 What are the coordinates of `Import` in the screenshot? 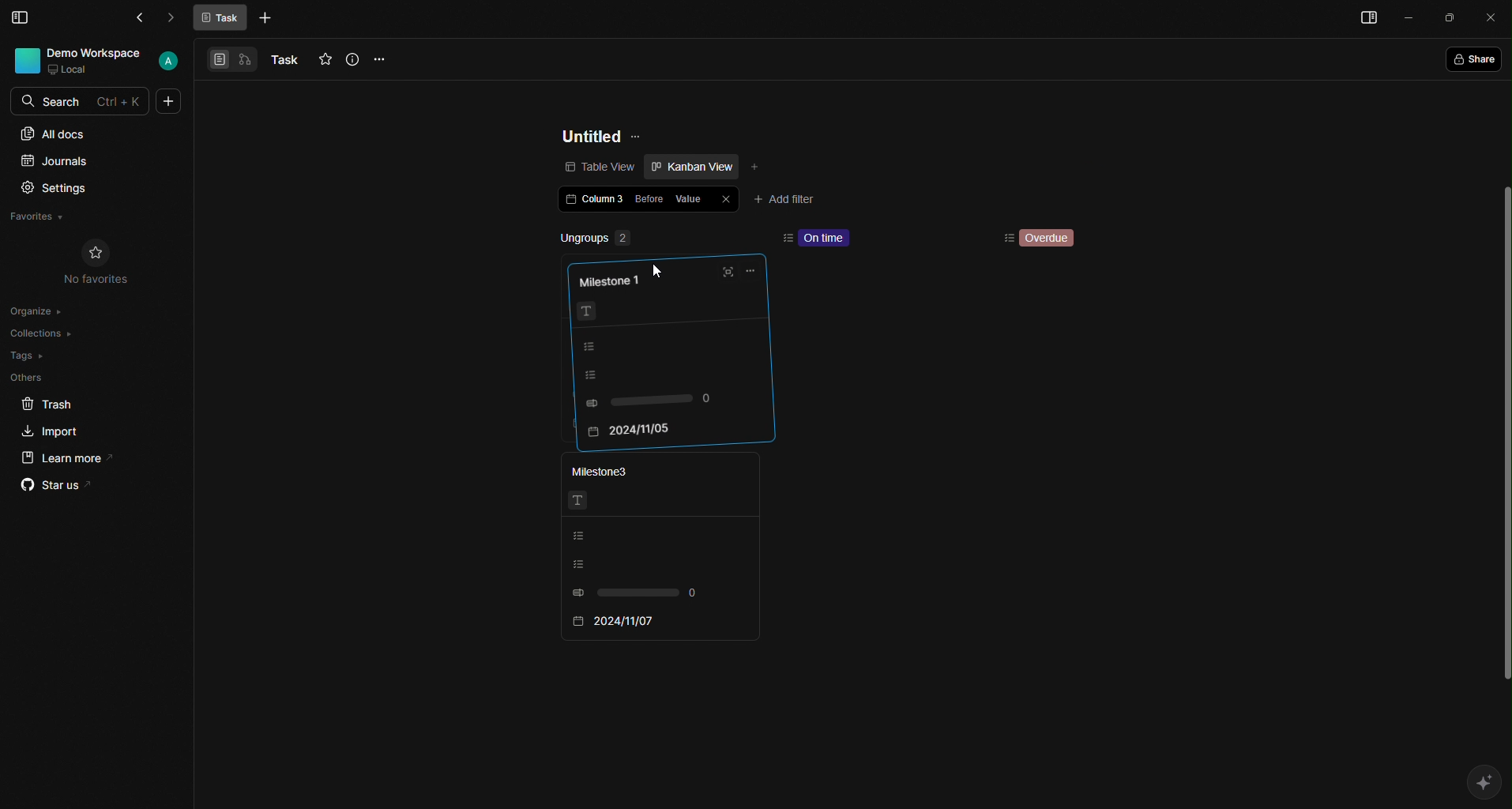 It's located at (51, 431).